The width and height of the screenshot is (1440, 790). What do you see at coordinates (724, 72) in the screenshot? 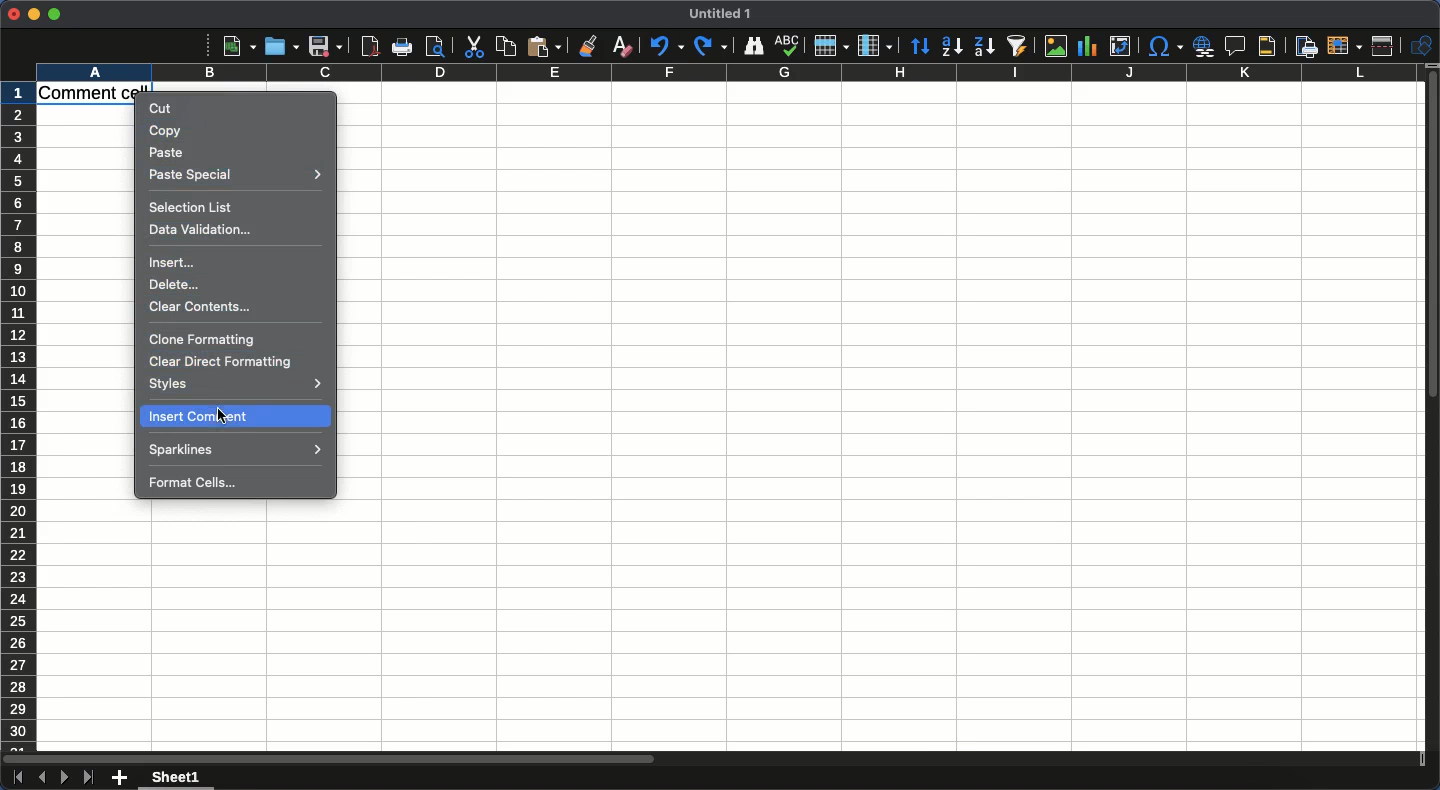
I see `Column` at bounding box center [724, 72].